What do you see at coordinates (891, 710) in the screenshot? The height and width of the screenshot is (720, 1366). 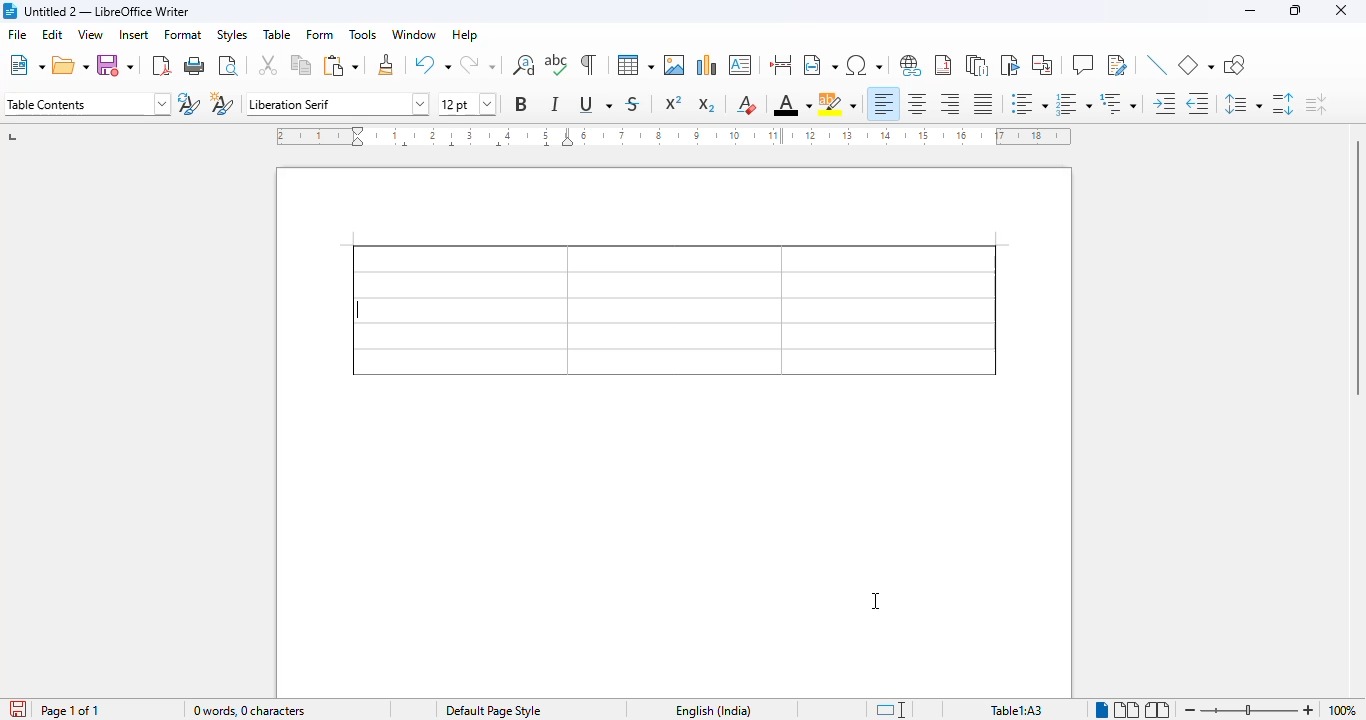 I see `standard selection` at bounding box center [891, 710].